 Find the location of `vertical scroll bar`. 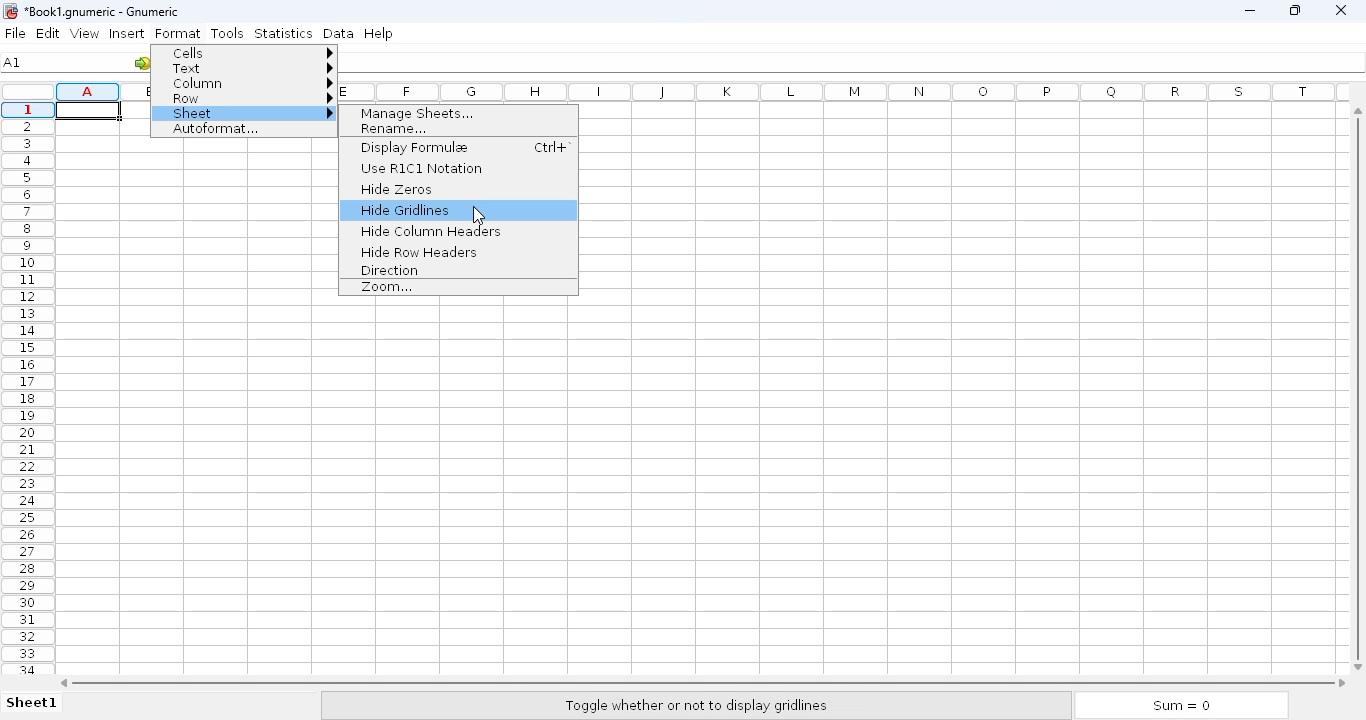

vertical scroll bar is located at coordinates (1361, 387).